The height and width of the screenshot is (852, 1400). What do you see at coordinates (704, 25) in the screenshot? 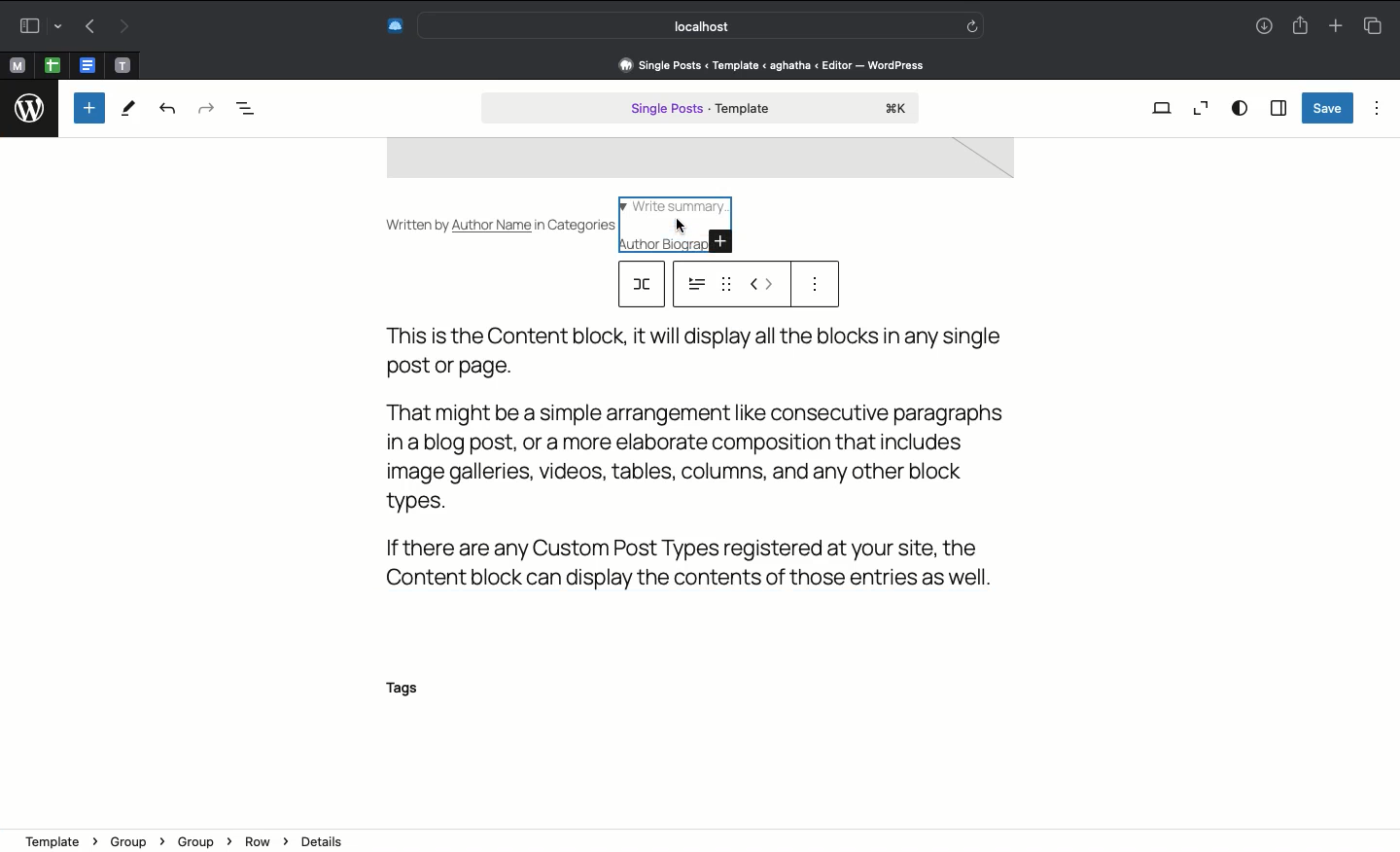
I see `Search bar` at bounding box center [704, 25].